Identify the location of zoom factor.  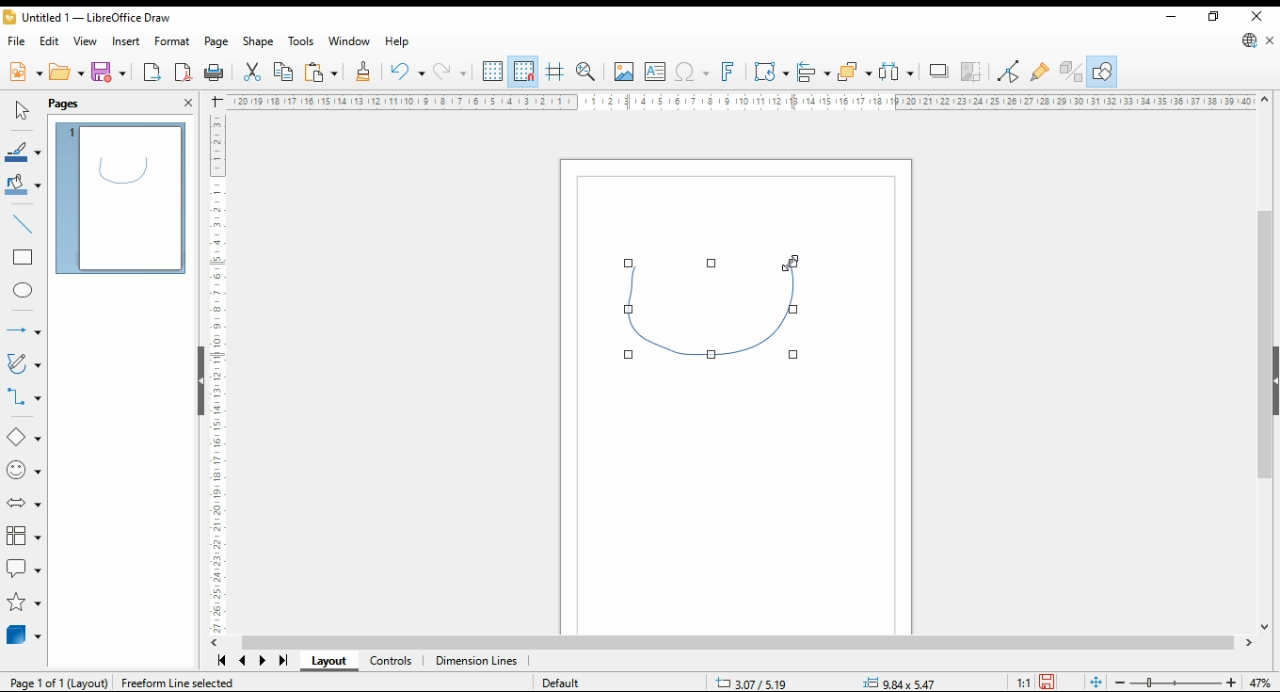
(1262, 682).